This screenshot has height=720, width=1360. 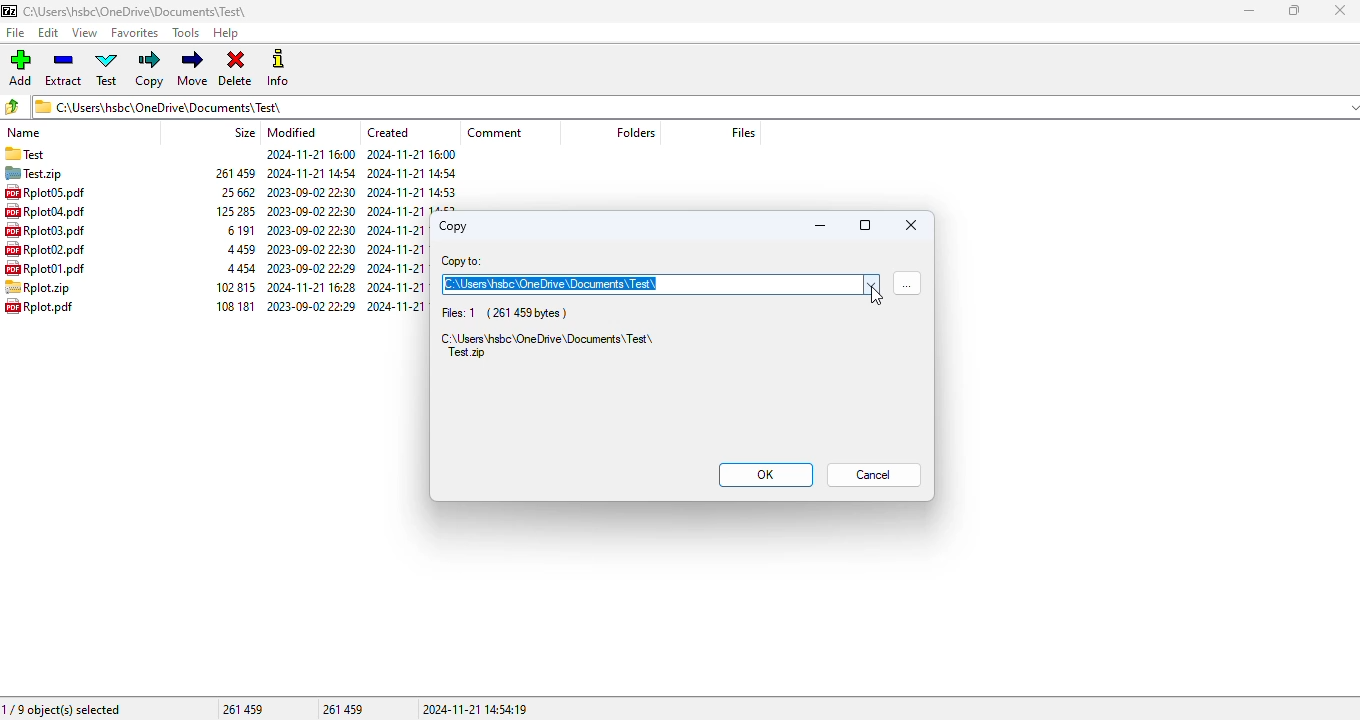 I want to click on file, so click(x=15, y=33).